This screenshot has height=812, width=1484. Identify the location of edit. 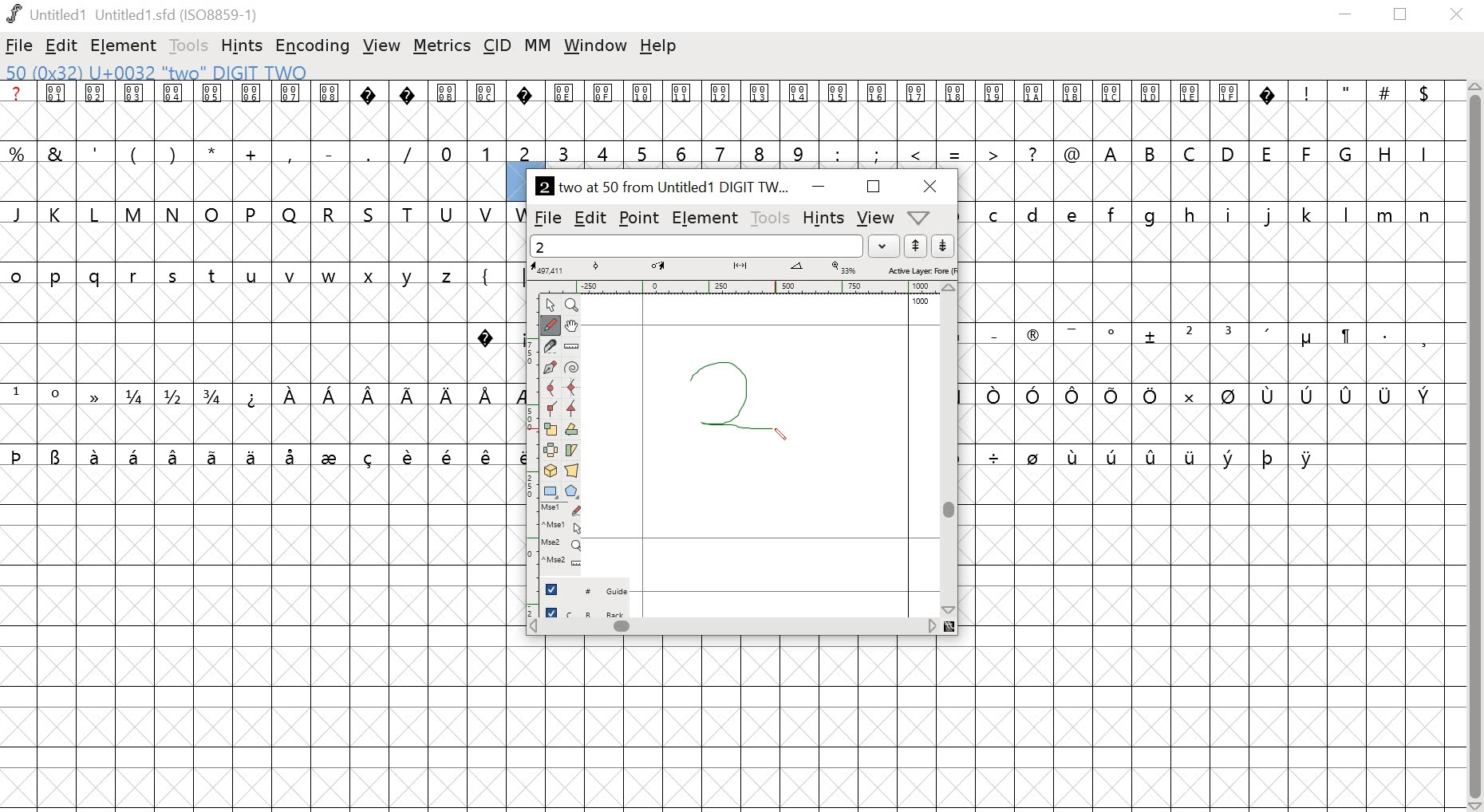
(590, 219).